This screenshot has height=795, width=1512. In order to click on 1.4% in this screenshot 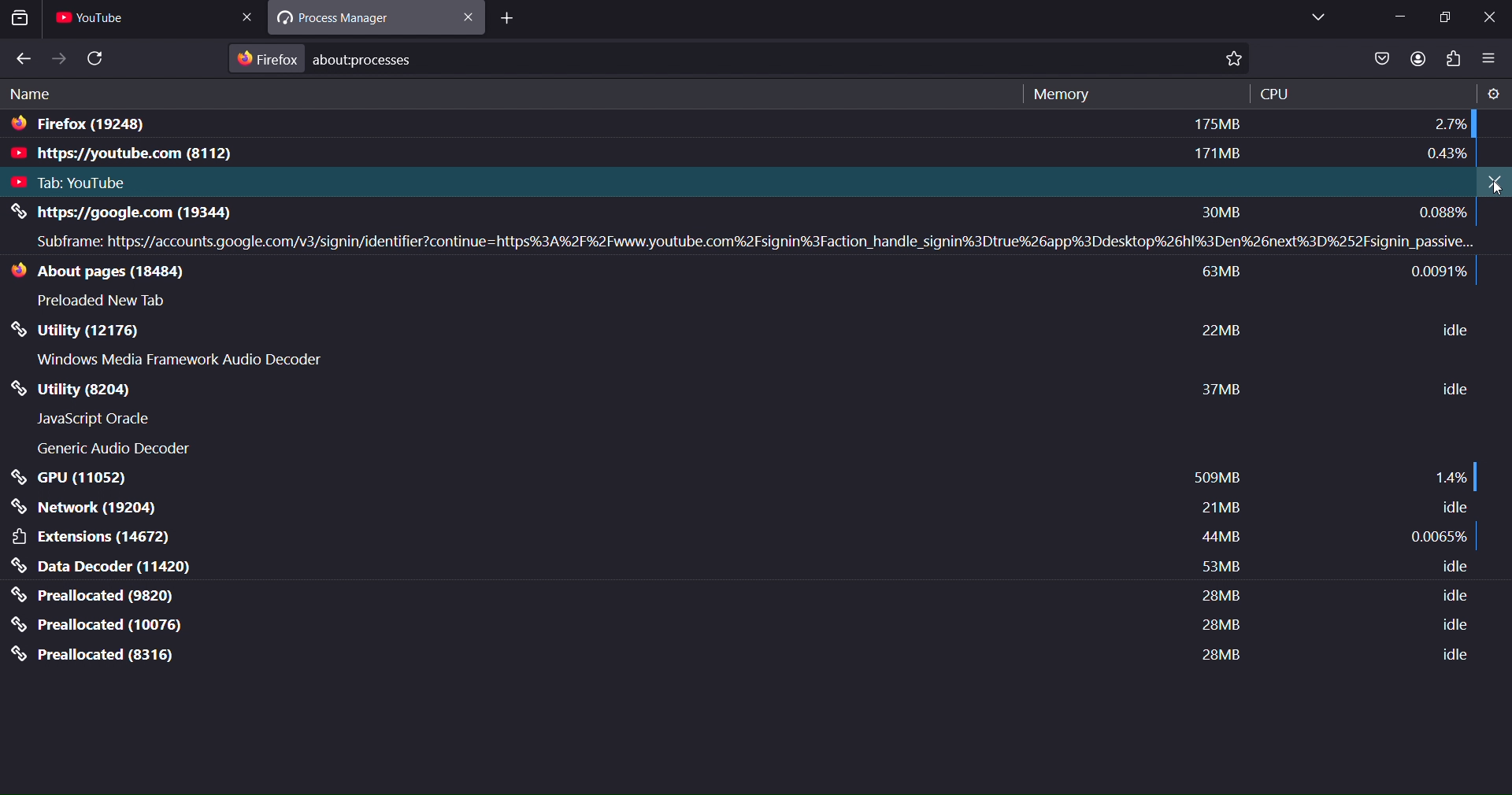, I will do `click(1451, 479)`.